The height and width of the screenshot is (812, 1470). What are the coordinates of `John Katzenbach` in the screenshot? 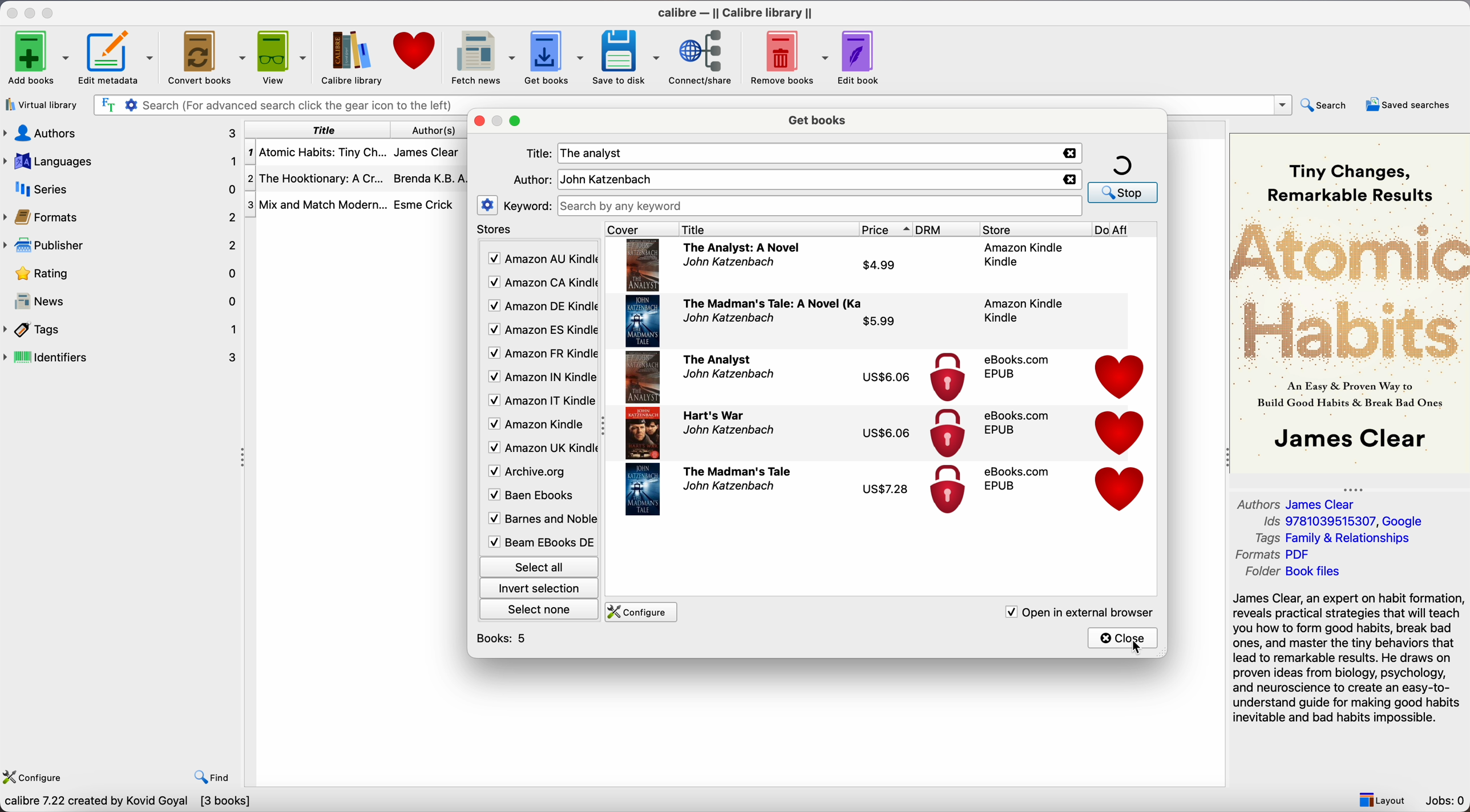 It's located at (728, 431).